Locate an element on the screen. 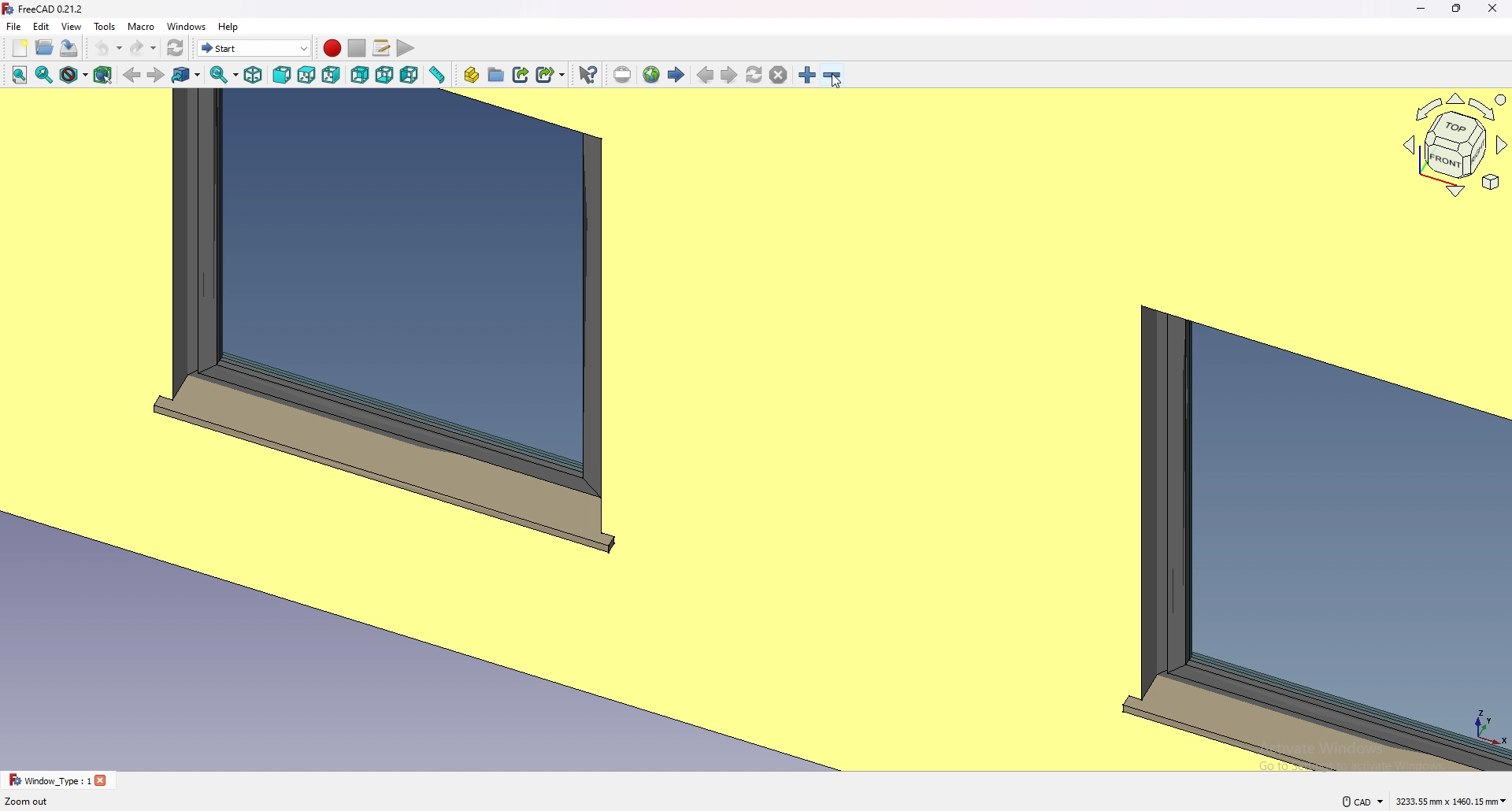  previous page is located at coordinates (706, 76).